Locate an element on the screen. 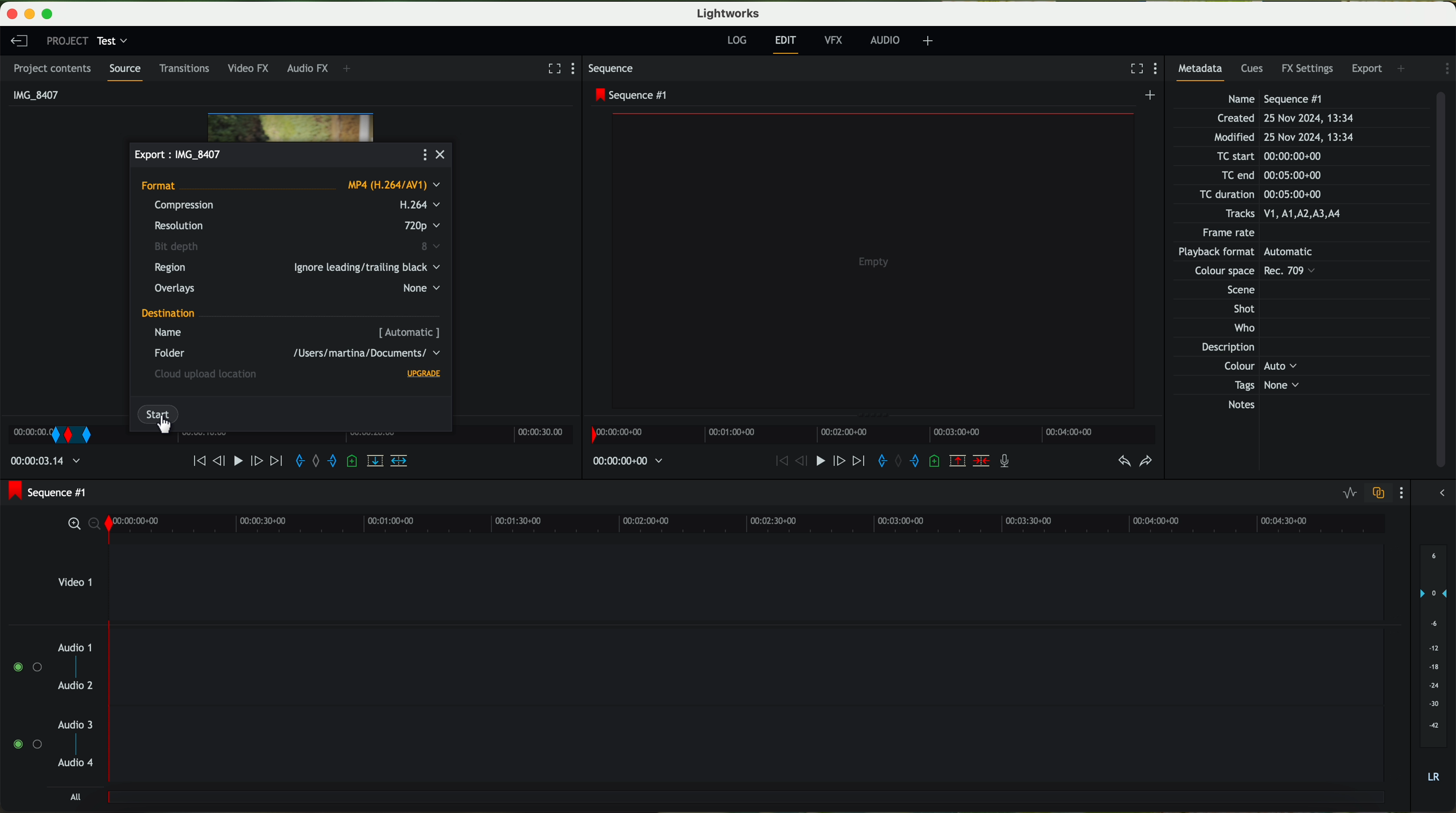  Description is located at coordinates (1241, 348).